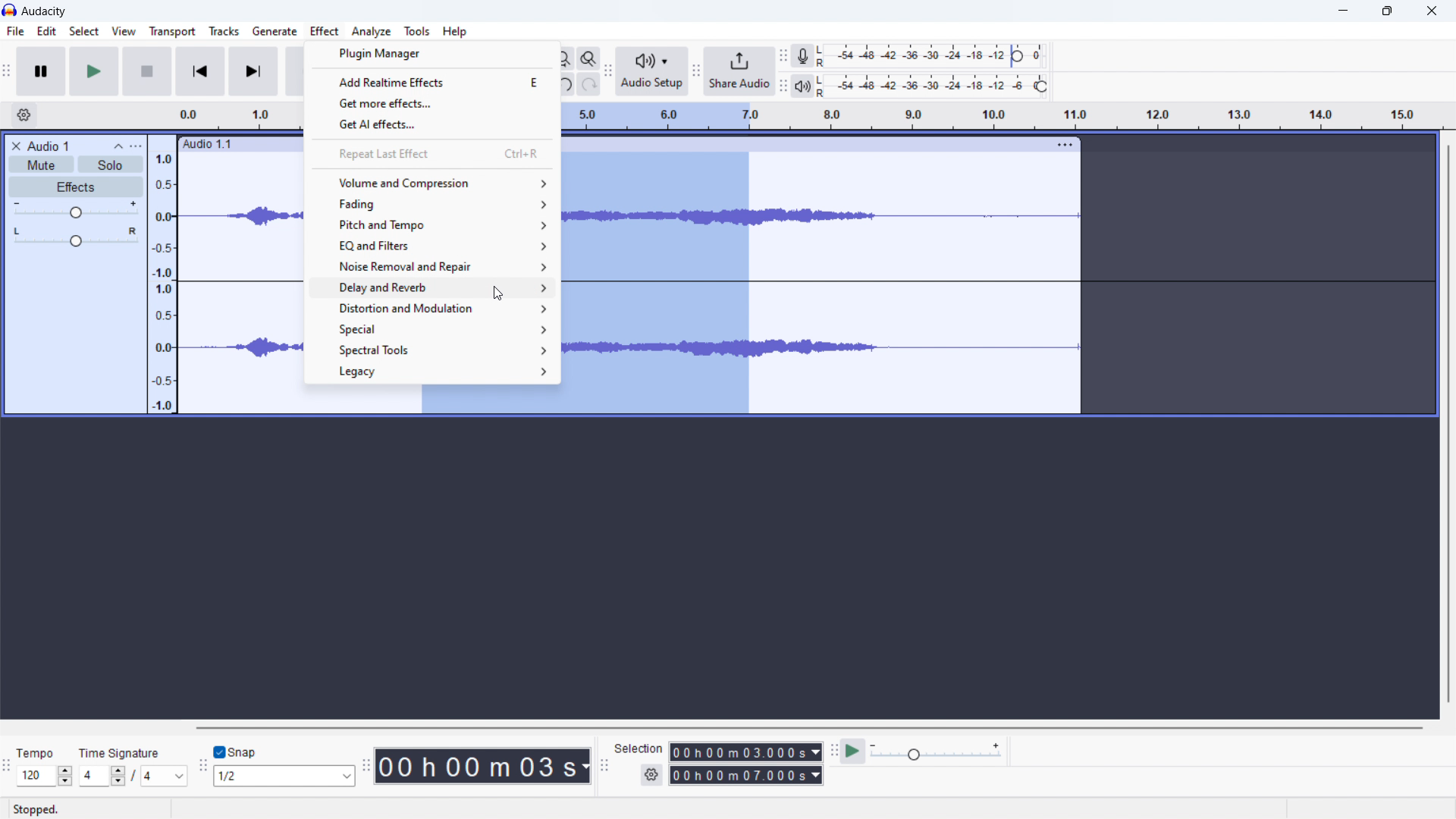 This screenshot has height=819, width=1456. What do you see at coordinates (40, 71) in the screenshot?
I see `pause` at bounding box center [40, 71].